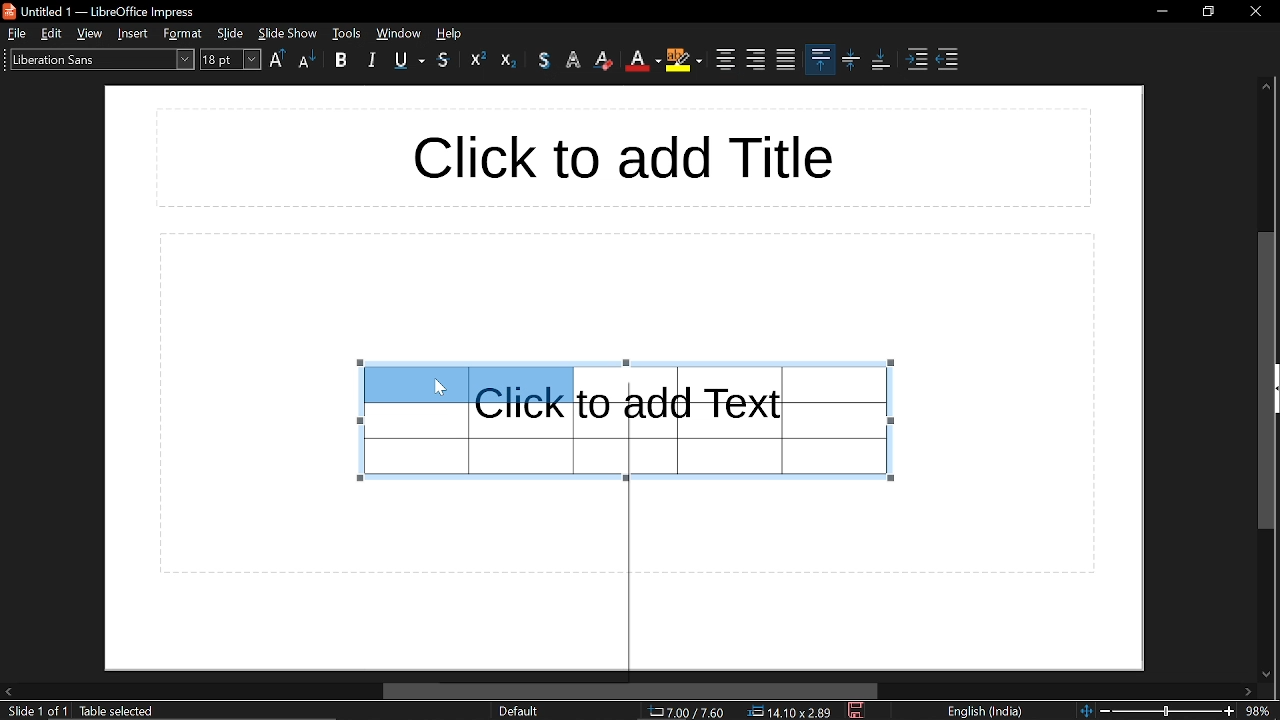  What do you see at coordinates (183, 34) in the screenshot?
I see `format` at bounding box center [183, 34].